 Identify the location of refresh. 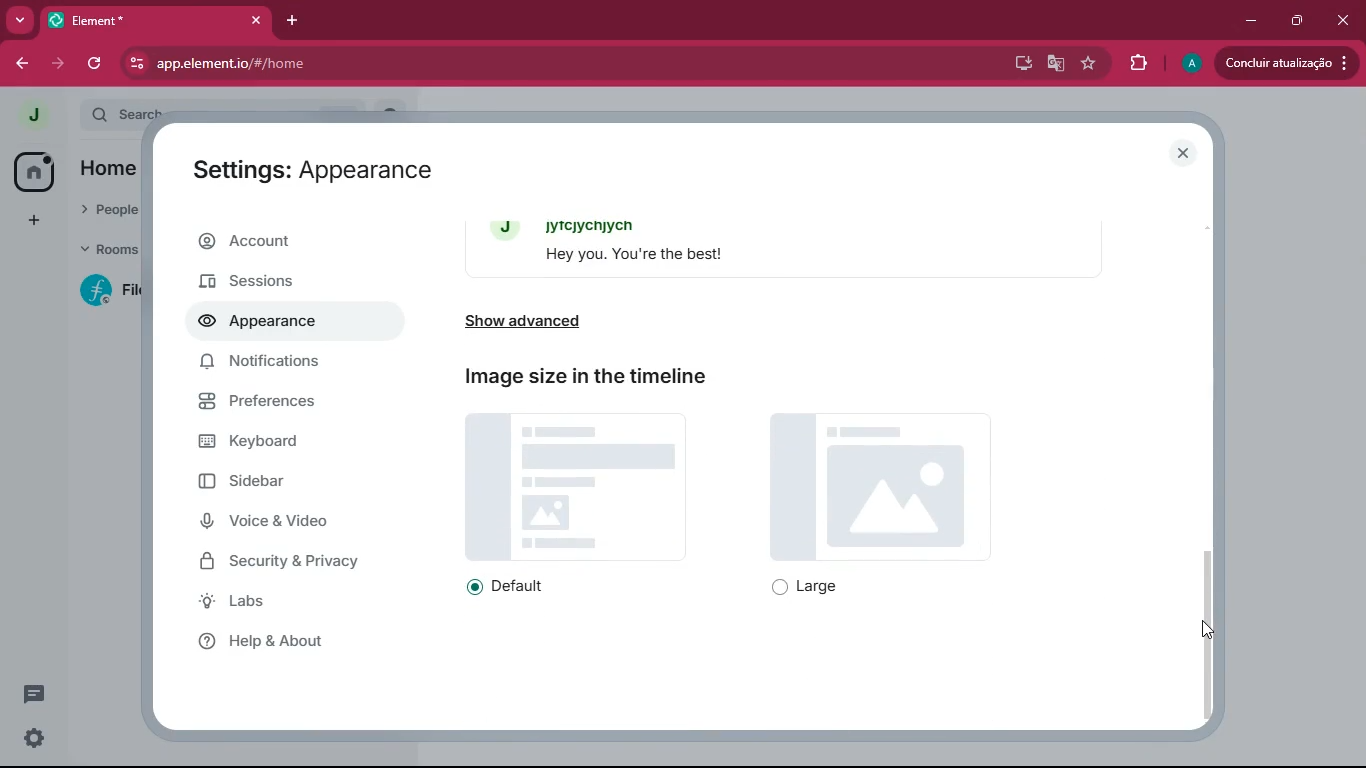
(96, 63).